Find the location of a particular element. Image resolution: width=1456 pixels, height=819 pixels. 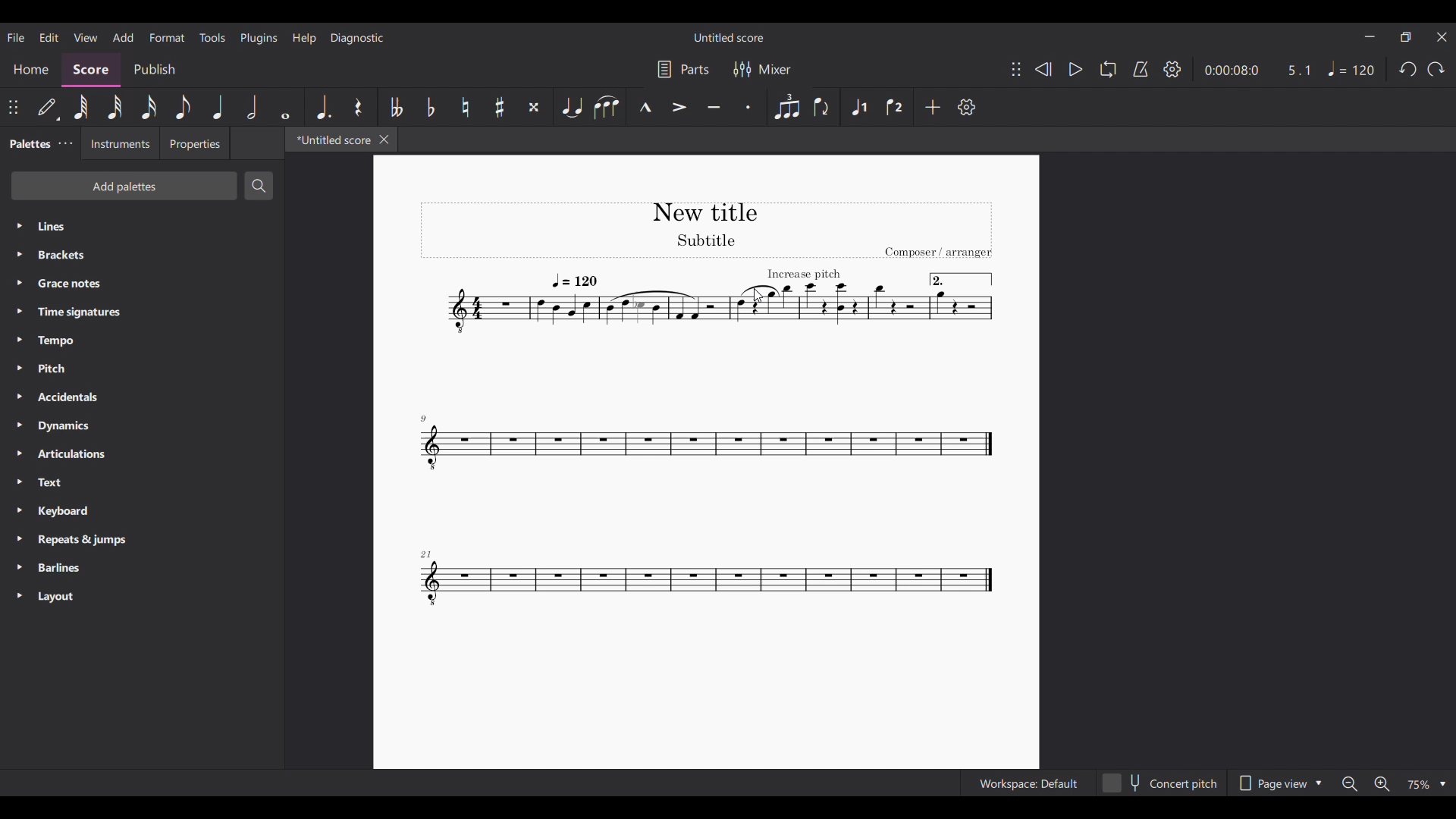

Tie is located at coordinates (571, 107).